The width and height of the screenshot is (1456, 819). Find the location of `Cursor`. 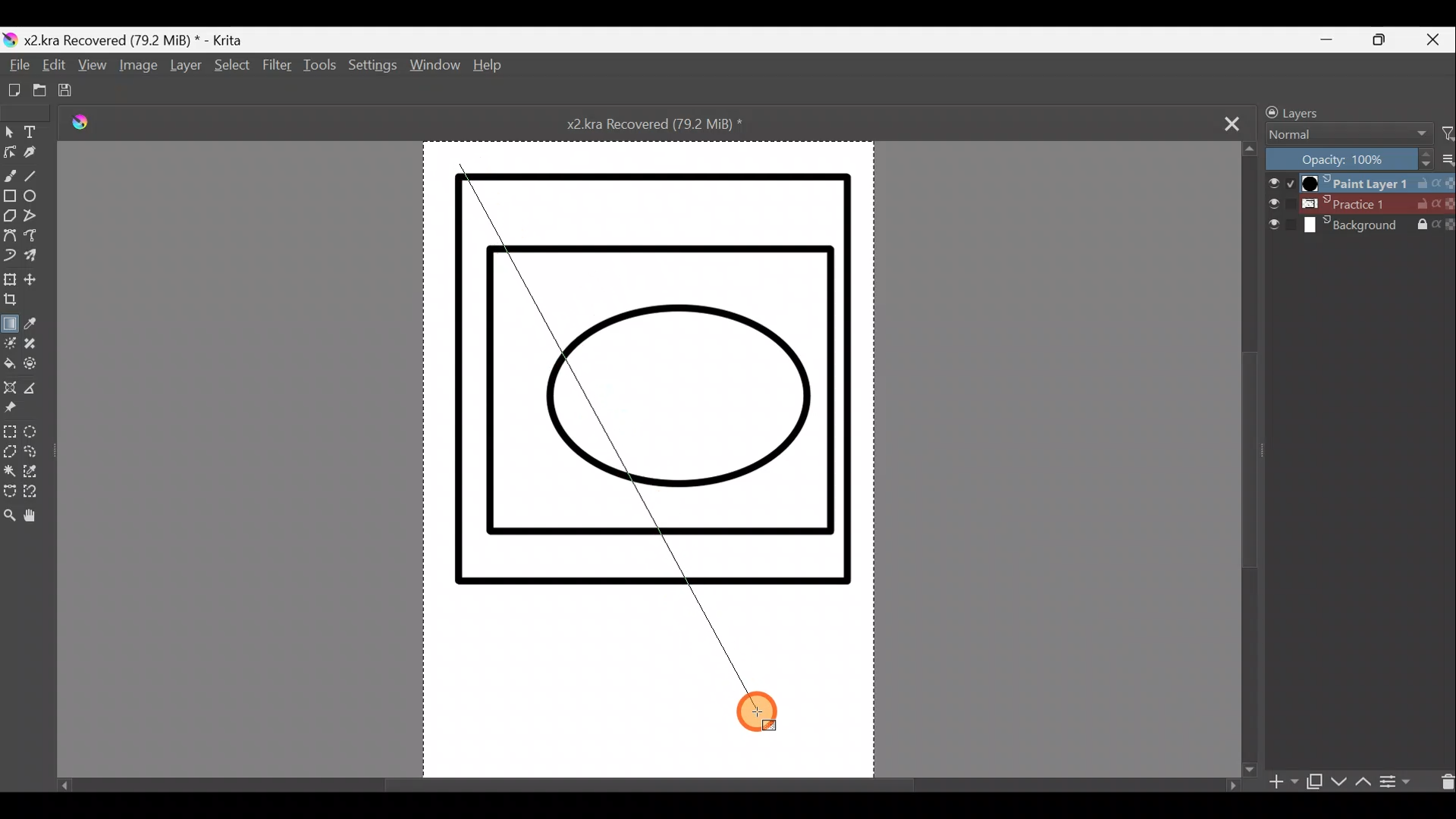

Cursor is located at coordinates (759, 706).